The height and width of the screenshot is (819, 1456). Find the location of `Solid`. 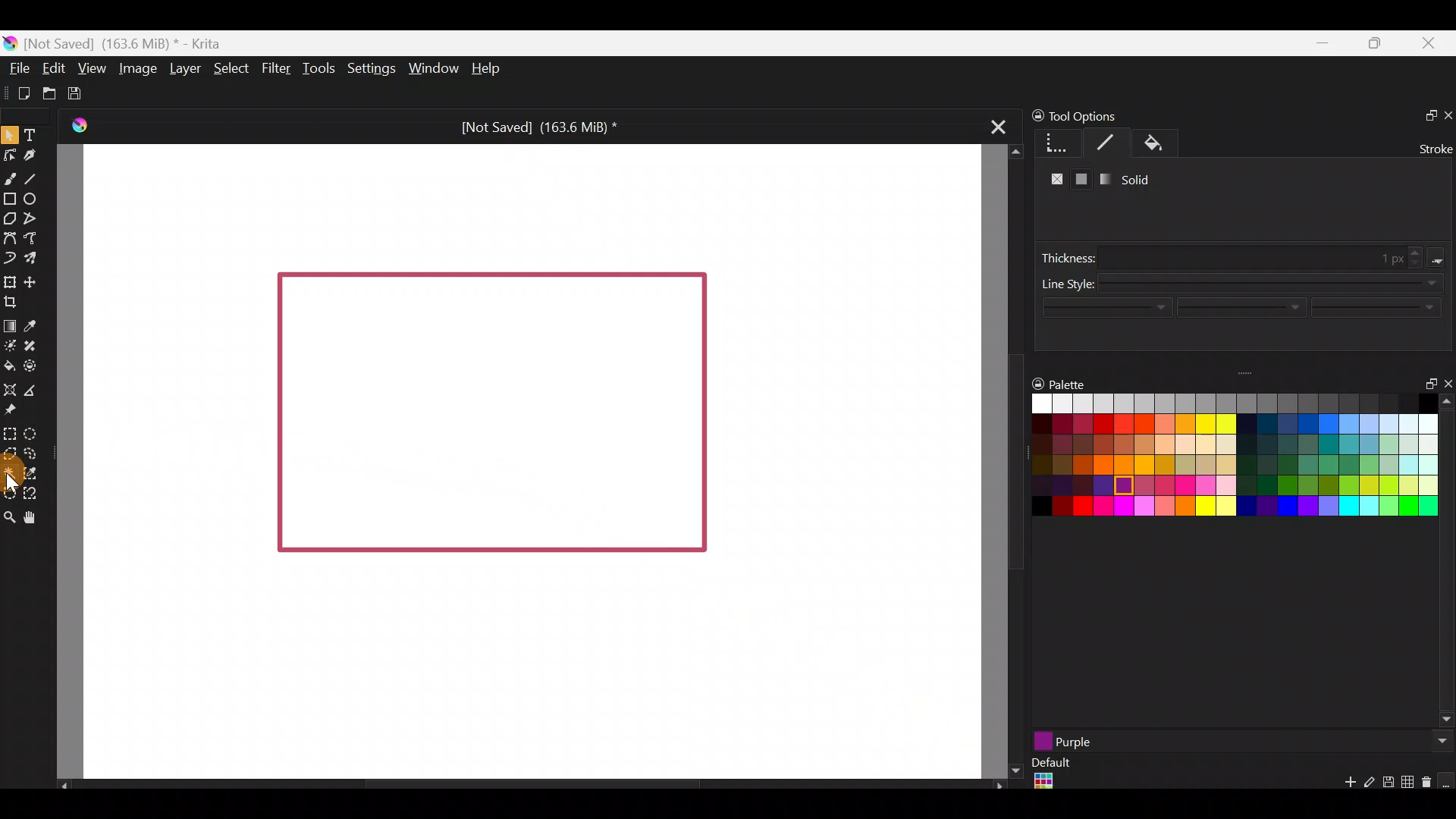

Solid is located at coordinates (1141, 177).